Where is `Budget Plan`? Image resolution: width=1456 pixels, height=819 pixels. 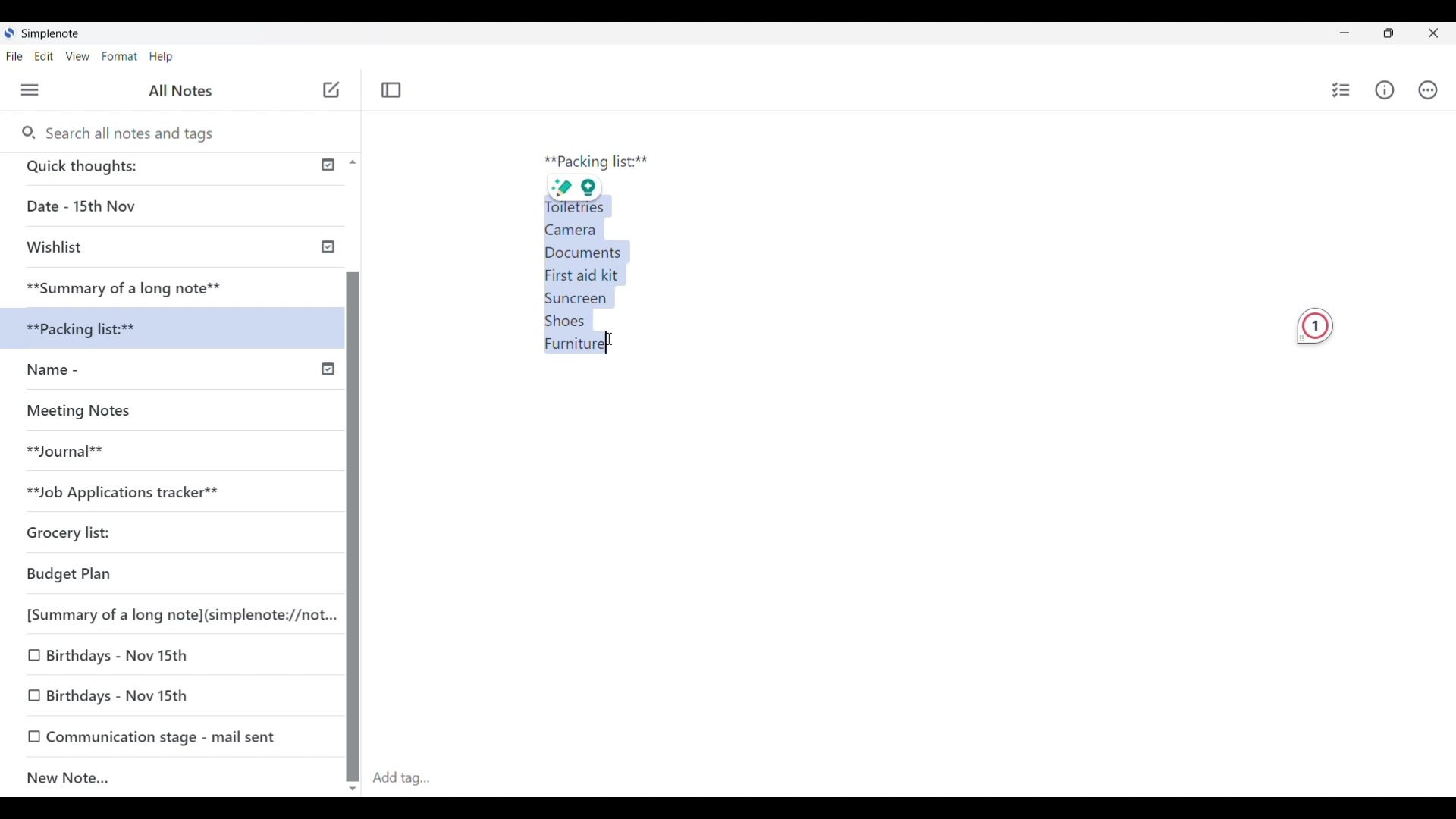
Budget Plan is located at coordinates (115, 575).